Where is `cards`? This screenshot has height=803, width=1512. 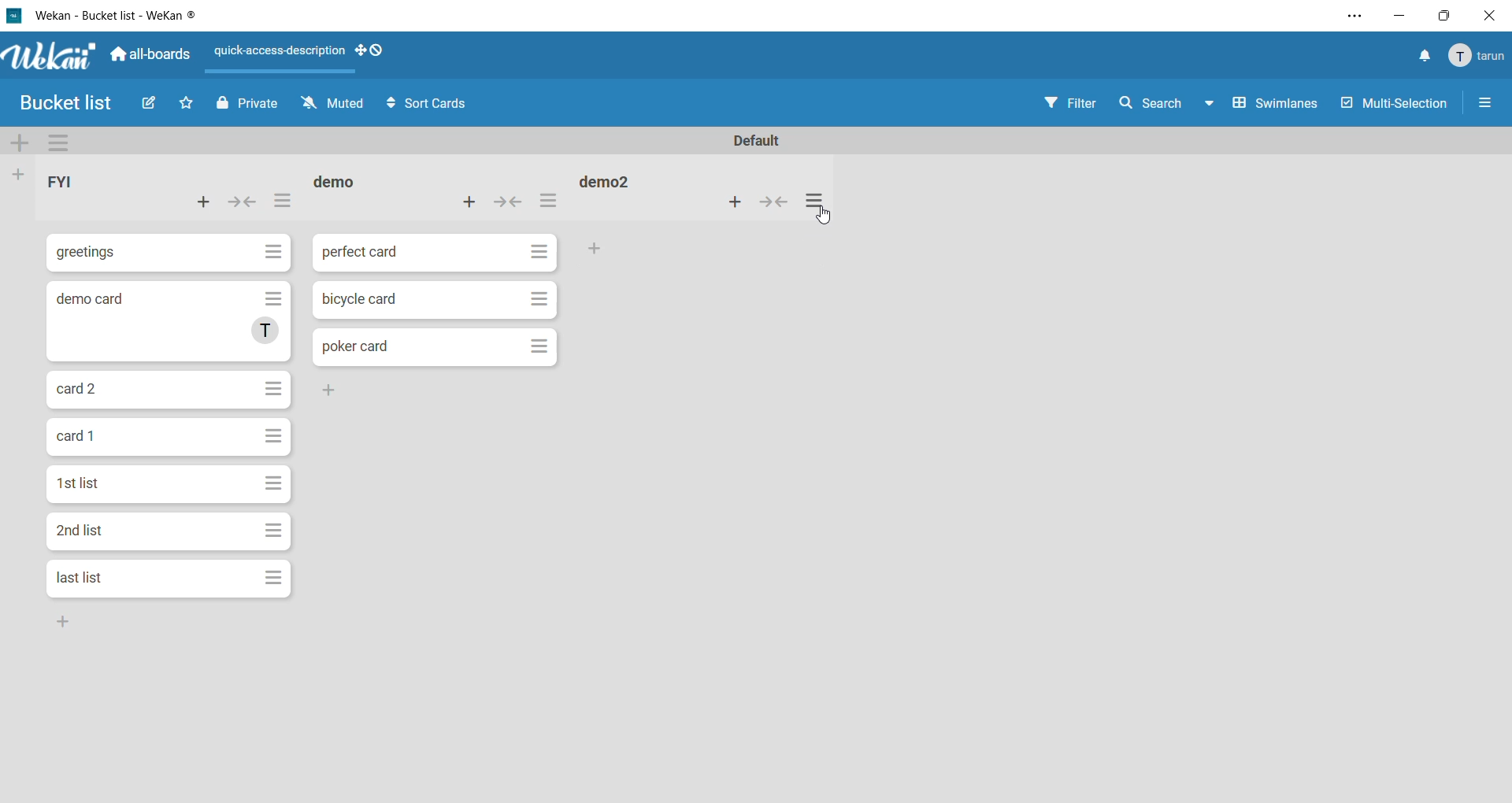
cards is located at coordinates (437, 346).